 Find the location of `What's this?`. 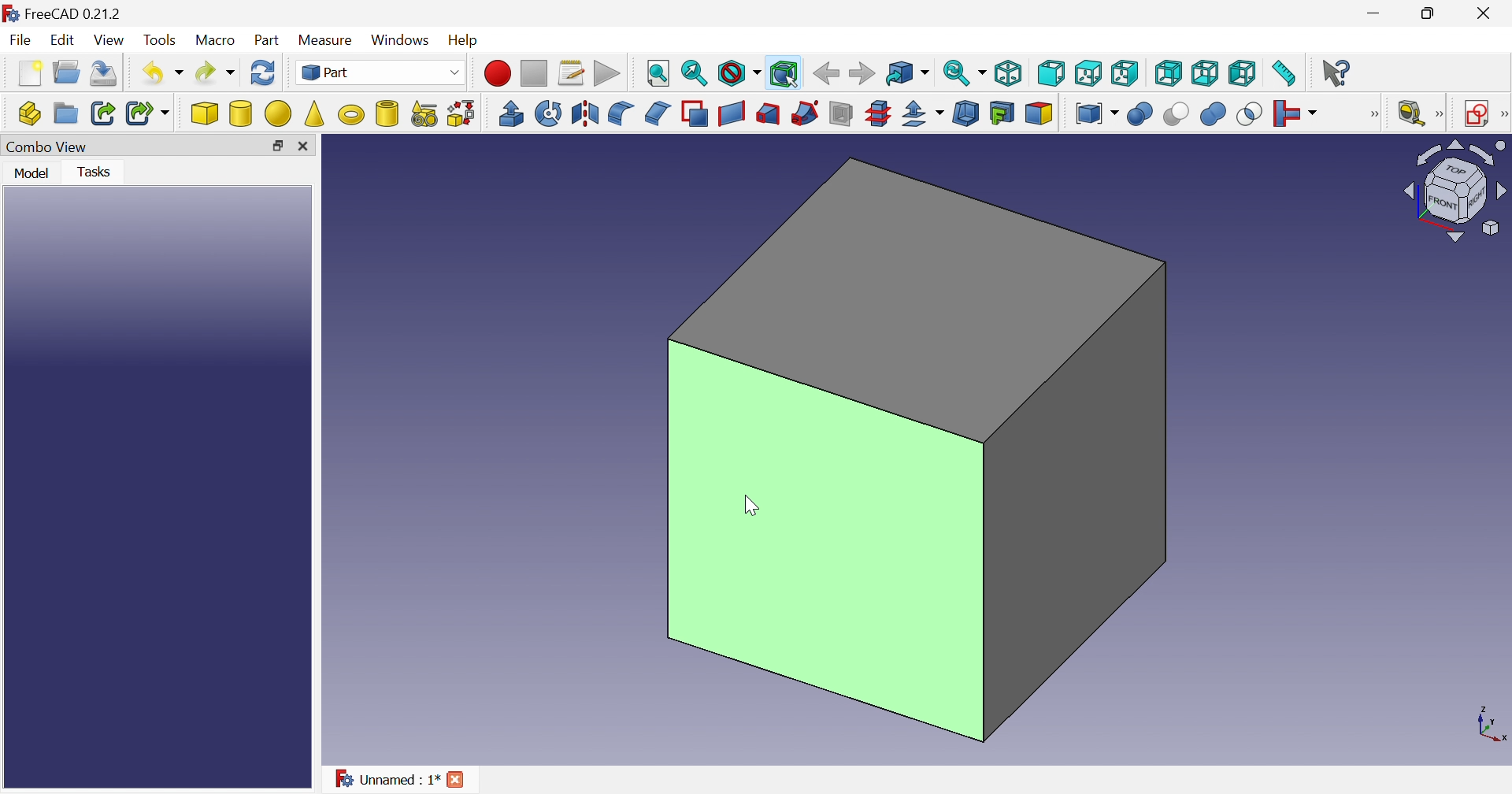

What's this? is located at coordinates (1338, 72).